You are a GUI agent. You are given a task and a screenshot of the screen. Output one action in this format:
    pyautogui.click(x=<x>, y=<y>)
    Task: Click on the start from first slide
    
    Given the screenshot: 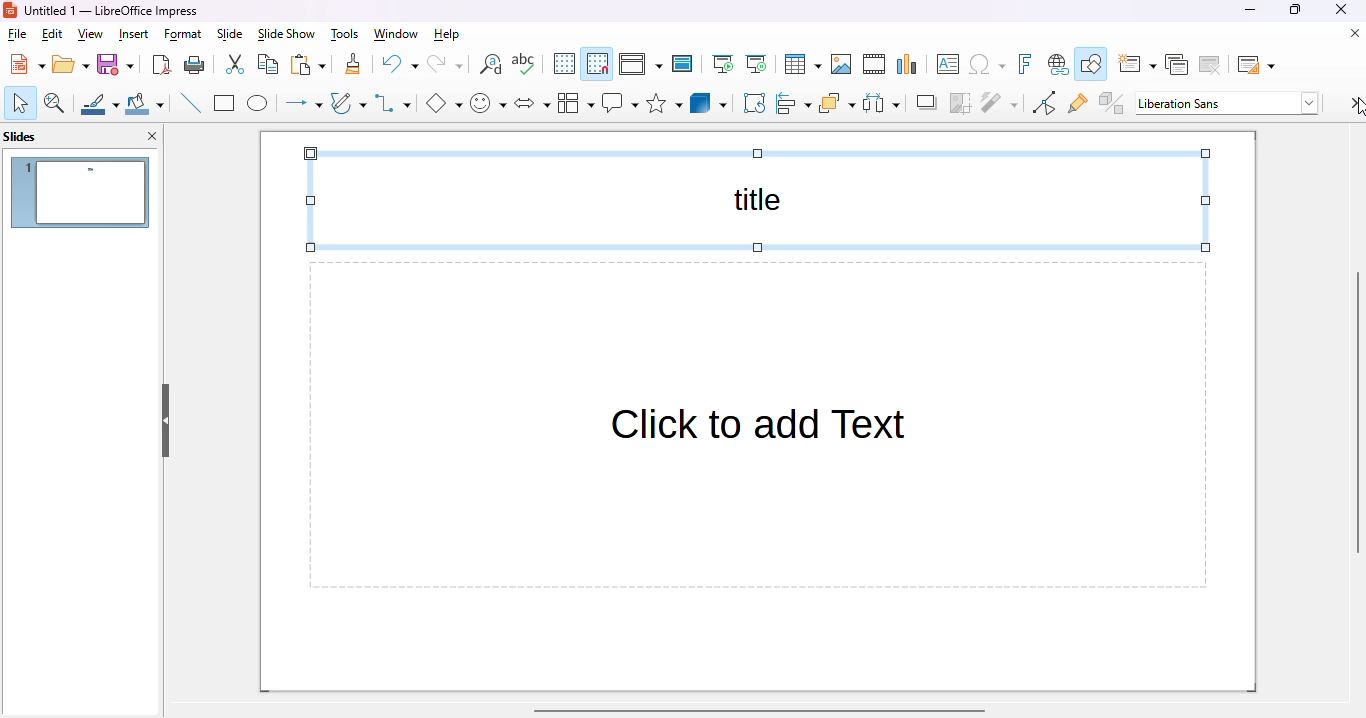 What is the action you would take?
    pyautogui.click(x=725, y=64)
    